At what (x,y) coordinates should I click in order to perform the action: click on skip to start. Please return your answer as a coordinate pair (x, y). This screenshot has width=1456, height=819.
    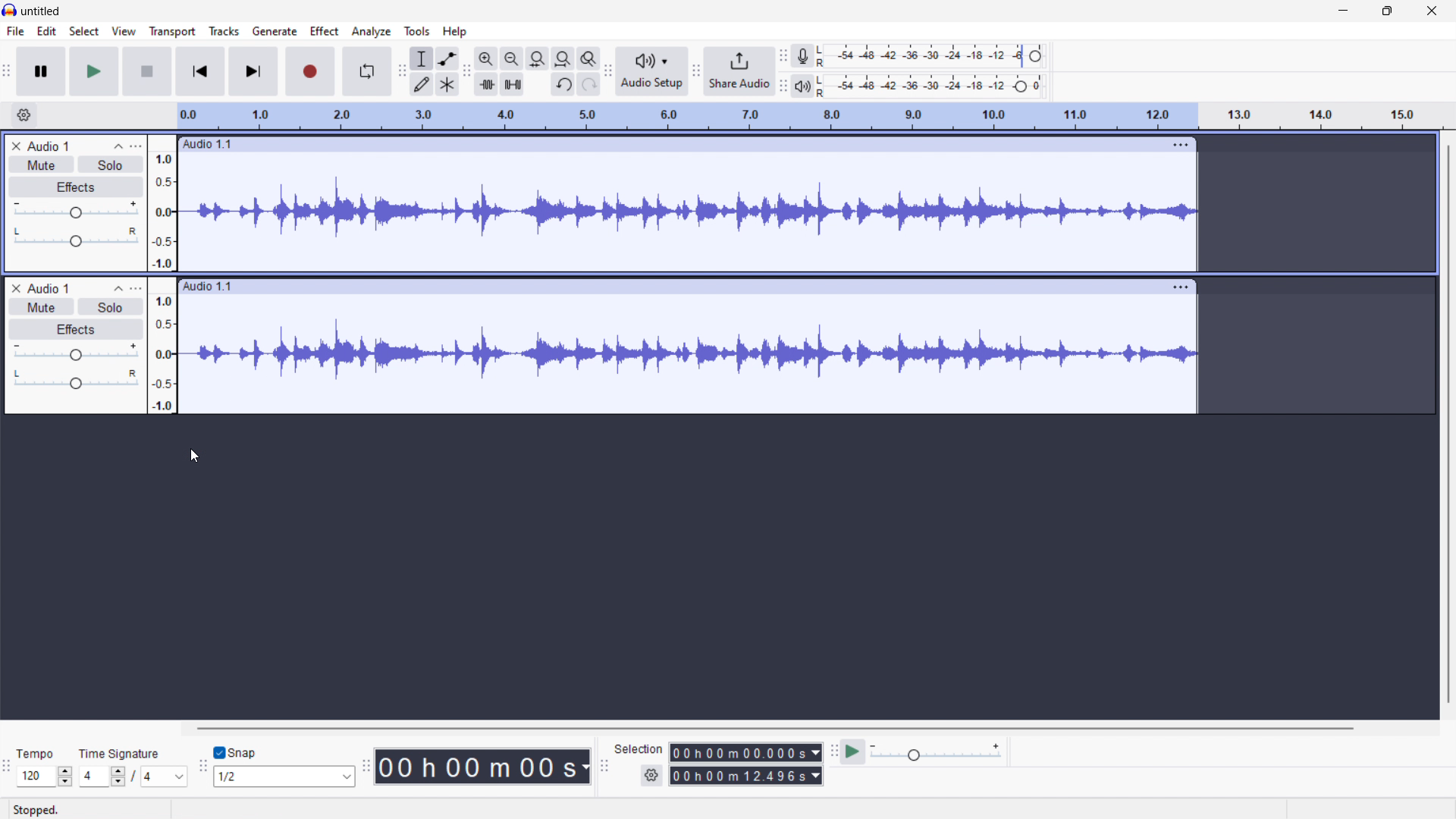
    Looking at the image, I should click on (199, 71).